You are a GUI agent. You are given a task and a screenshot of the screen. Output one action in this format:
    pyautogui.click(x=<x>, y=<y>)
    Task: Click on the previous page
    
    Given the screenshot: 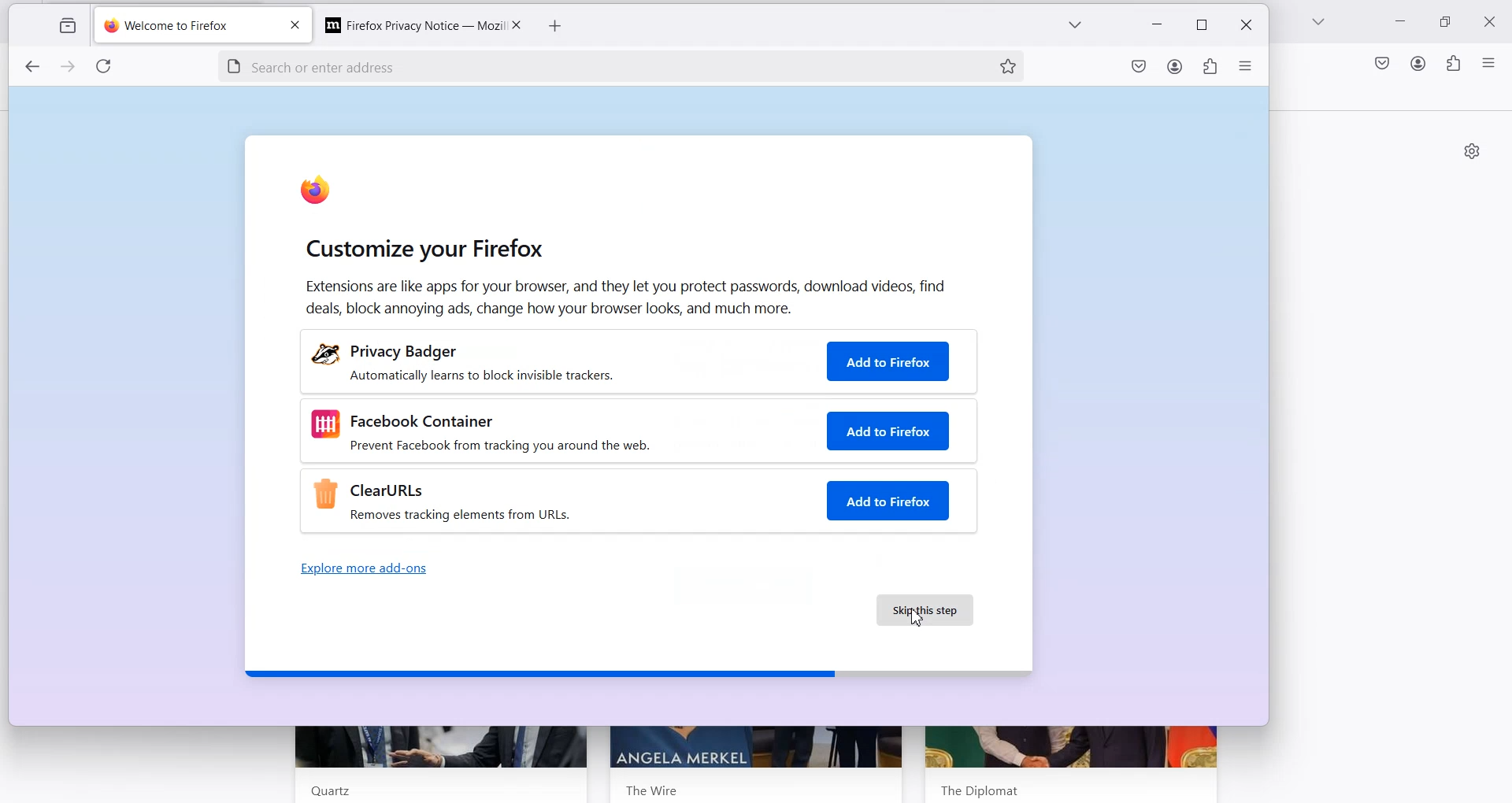 What is the action you would take?
    pyautogui.click(x=31, y=68)
    